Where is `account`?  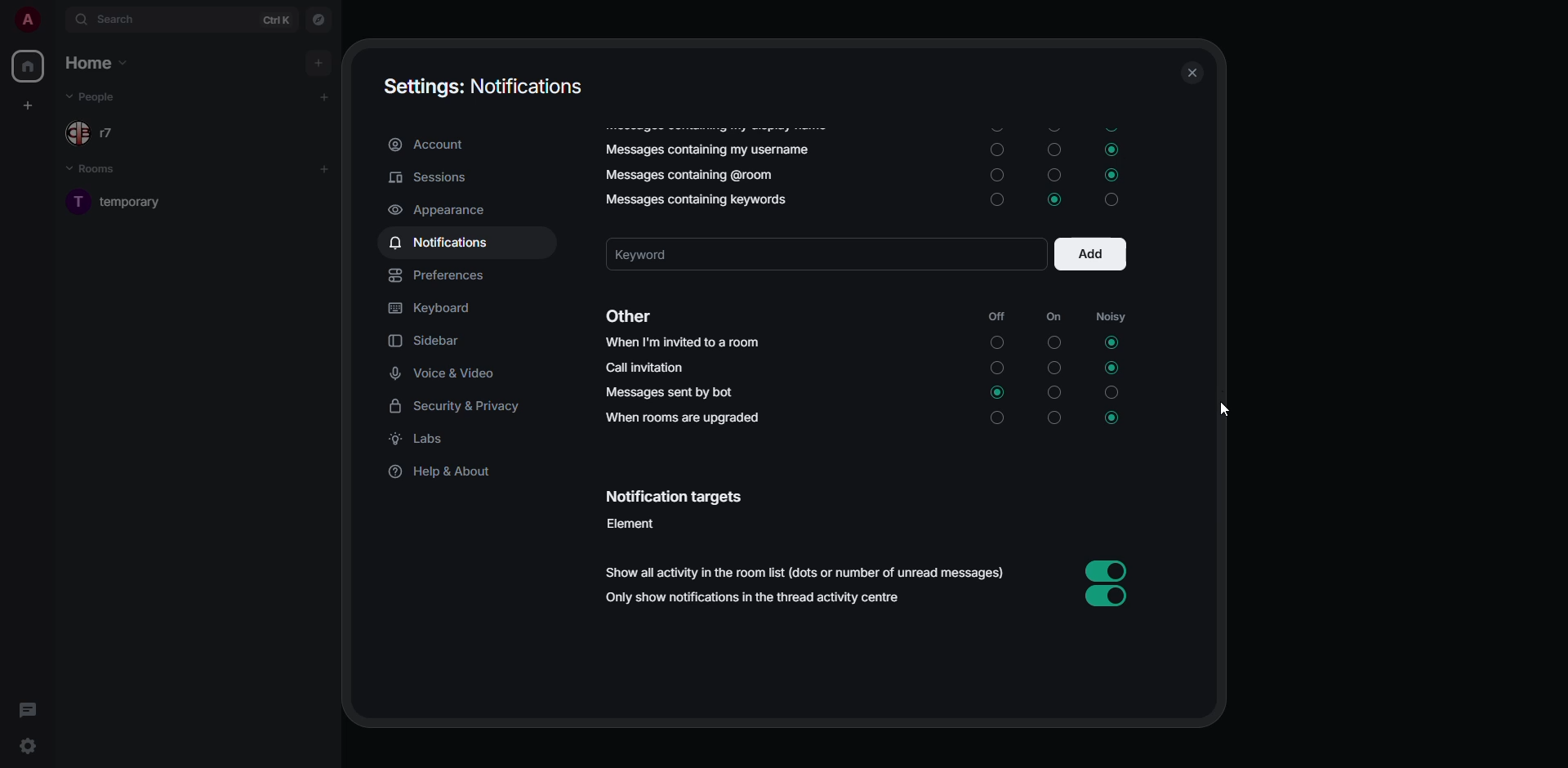
account is located at coordinates (434, 145).